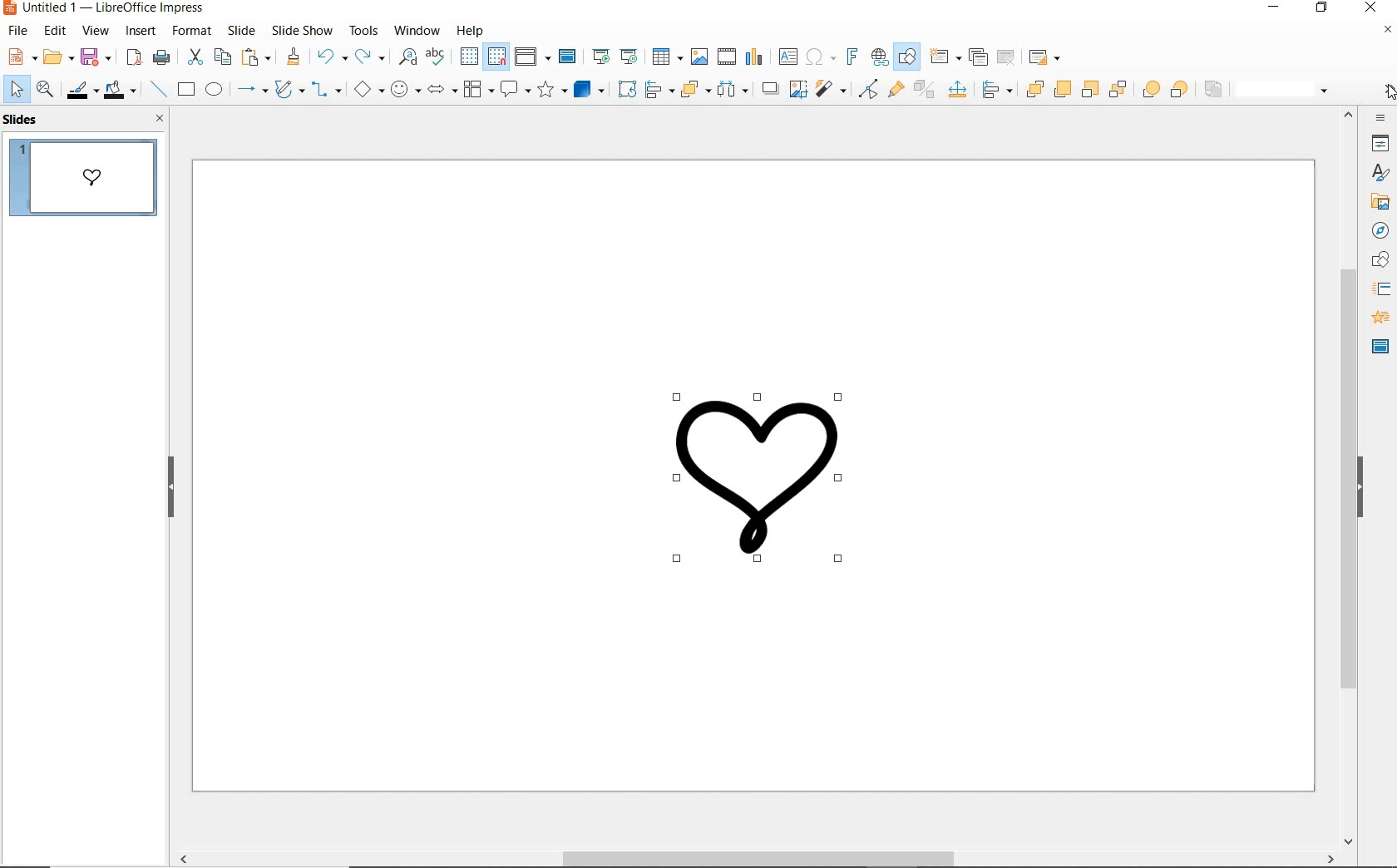 The width and height of the screenshot is (1397, 868). Describe the element at coordinates (945, 57) in the screenshot. I see `new slide` at that location.